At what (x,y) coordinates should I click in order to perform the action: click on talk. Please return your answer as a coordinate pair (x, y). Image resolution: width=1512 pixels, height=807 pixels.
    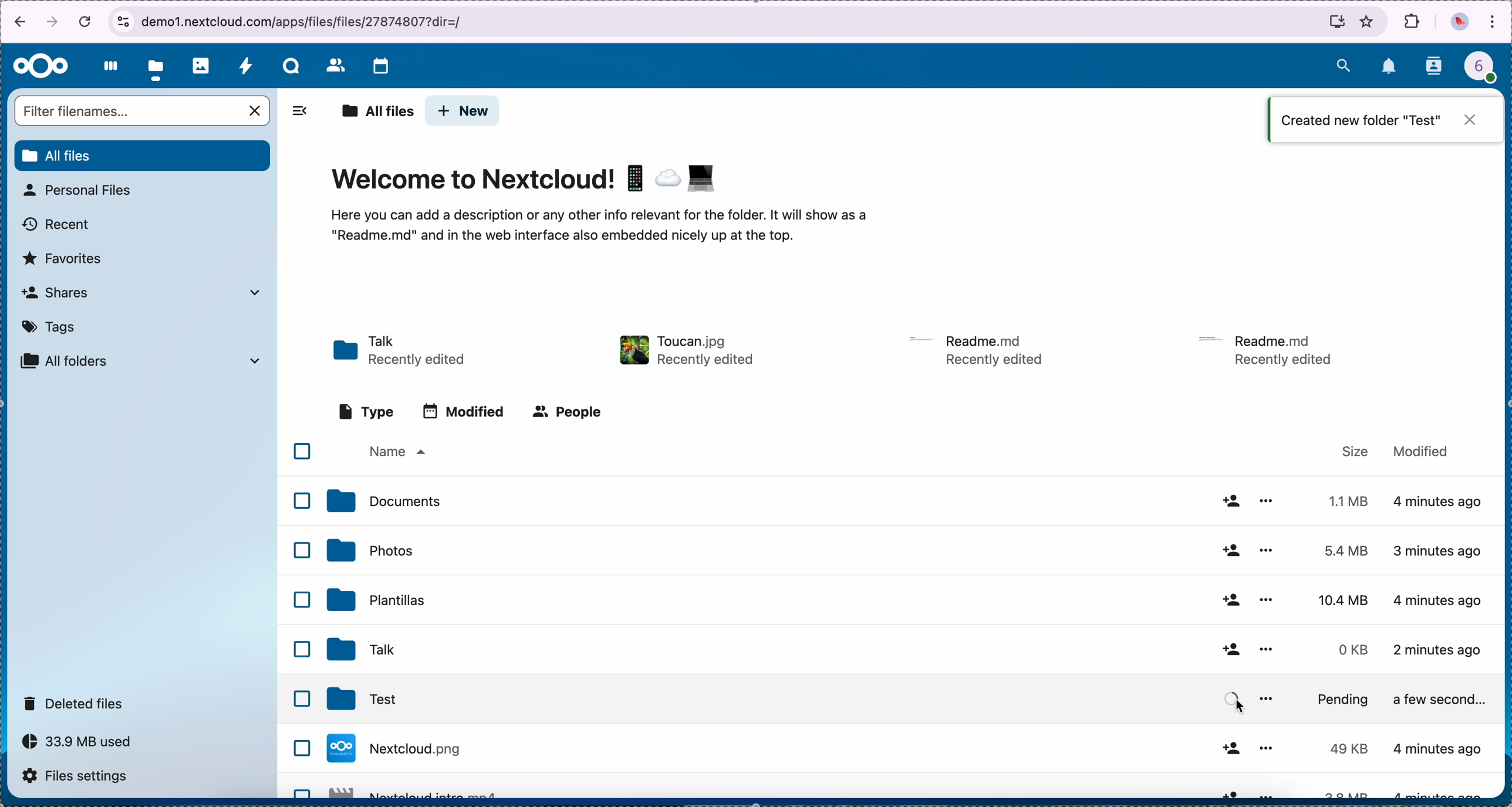
    Looking at the image, I should click on (291, 66).